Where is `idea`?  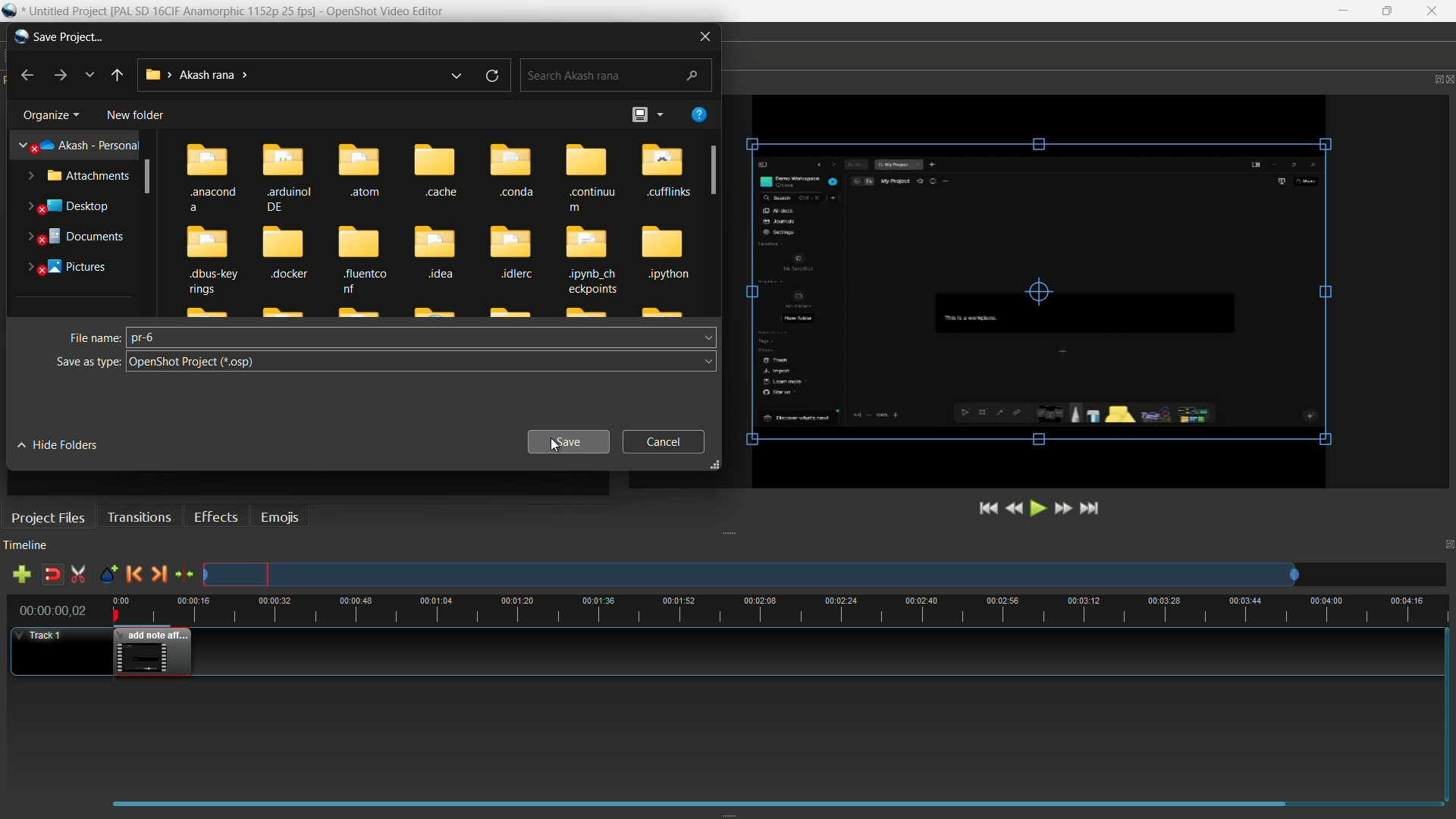
idea is located at coordinates (440, 261).